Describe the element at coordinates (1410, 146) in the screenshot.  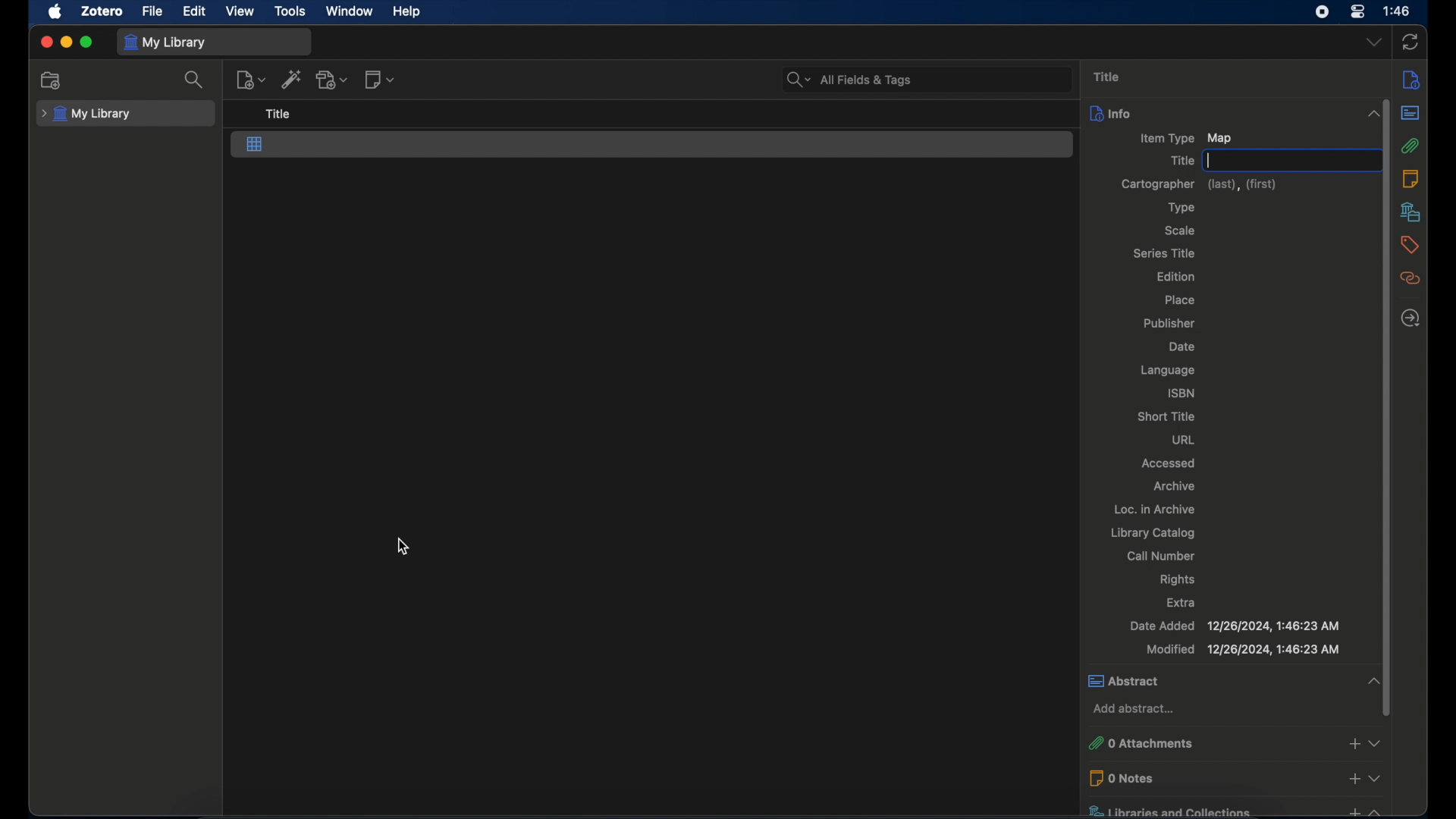
I see `attachments` at that location.